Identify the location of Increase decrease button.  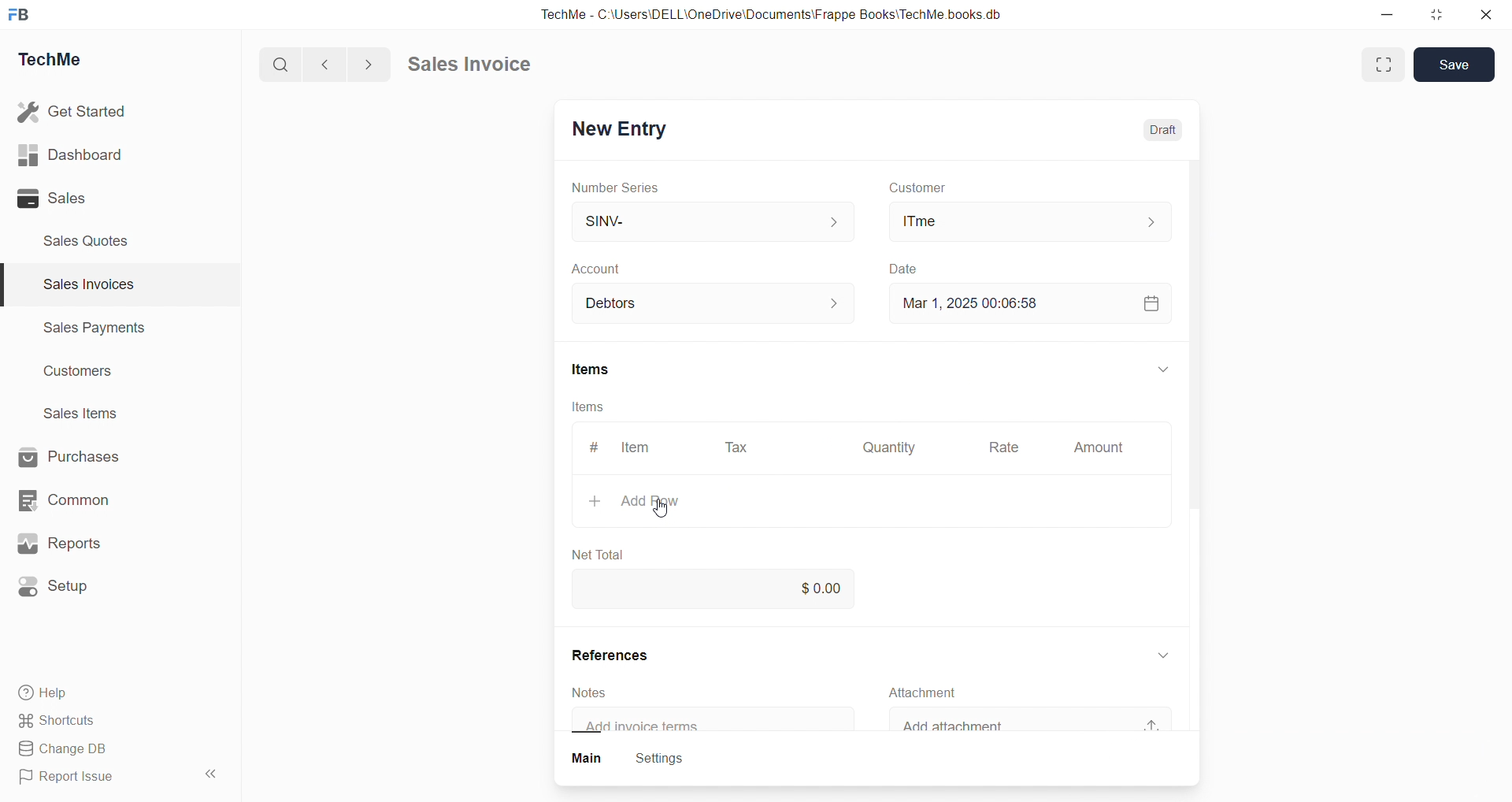
(844, 304).